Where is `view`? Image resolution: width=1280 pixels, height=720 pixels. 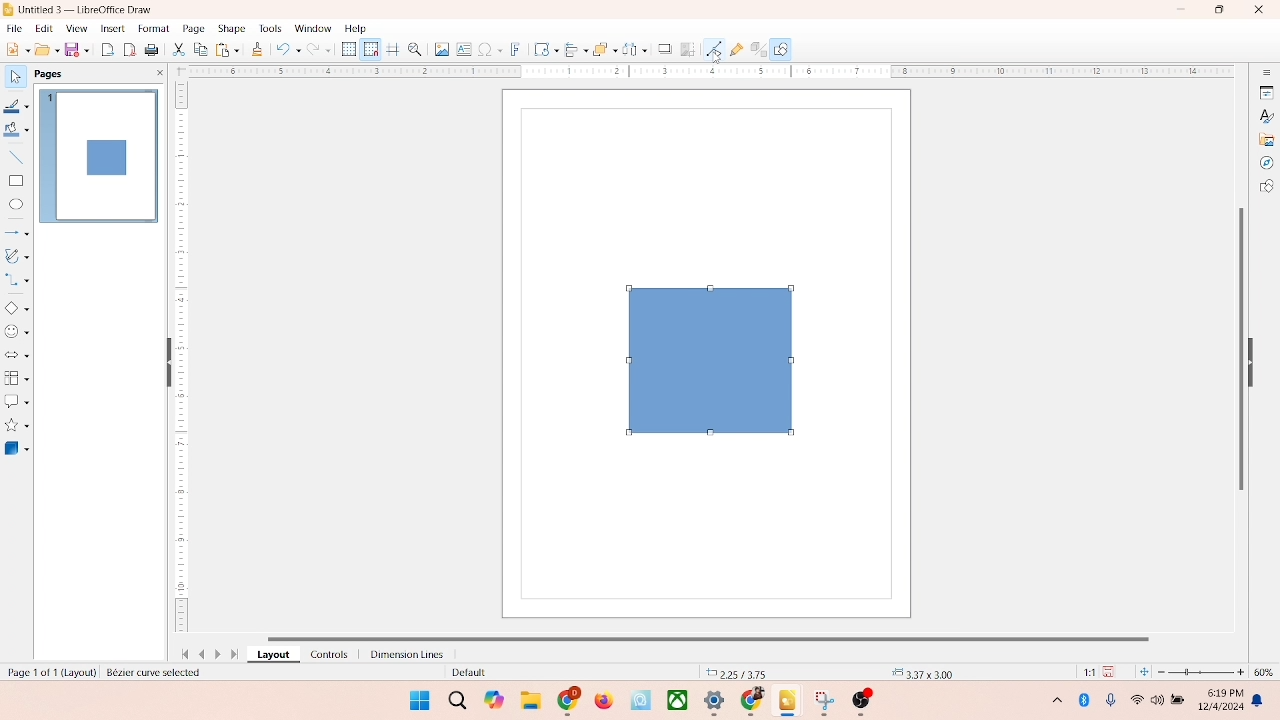
view is located at coordinates (72, 28).